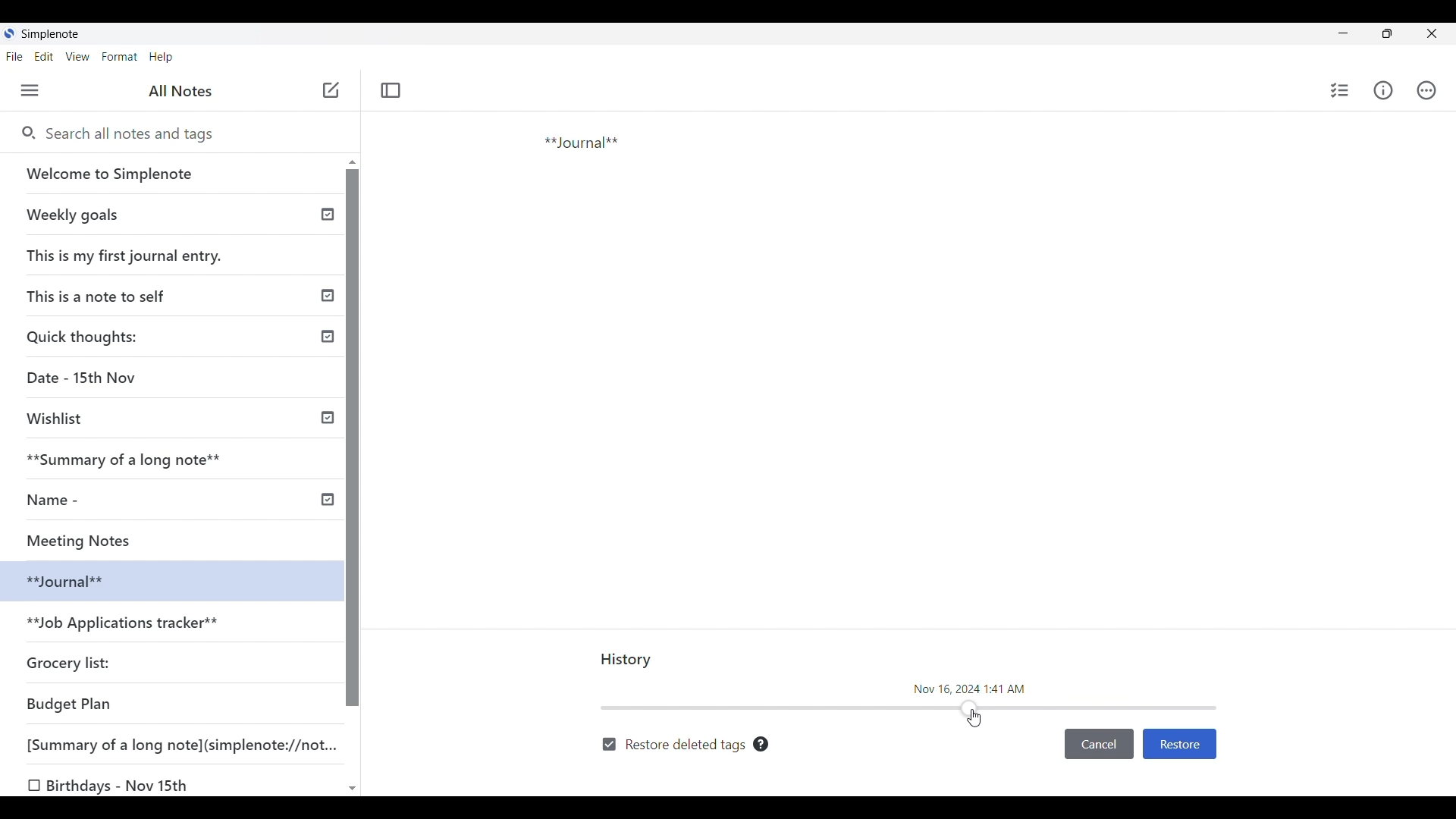 This screenshot has width=1456, height=819. I want to click on Name -, so click(58, 500).